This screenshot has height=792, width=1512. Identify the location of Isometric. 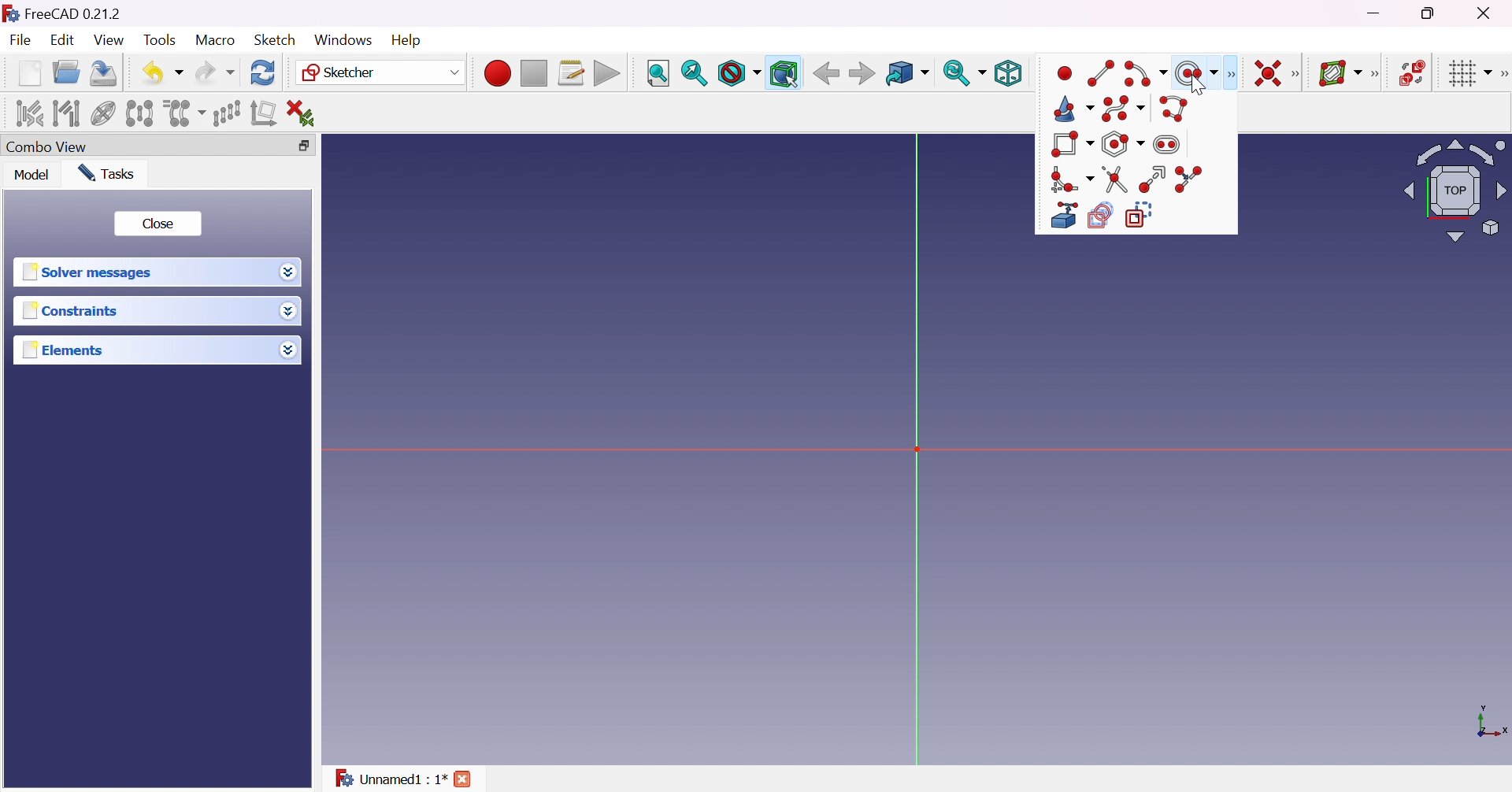
(1007, 75).